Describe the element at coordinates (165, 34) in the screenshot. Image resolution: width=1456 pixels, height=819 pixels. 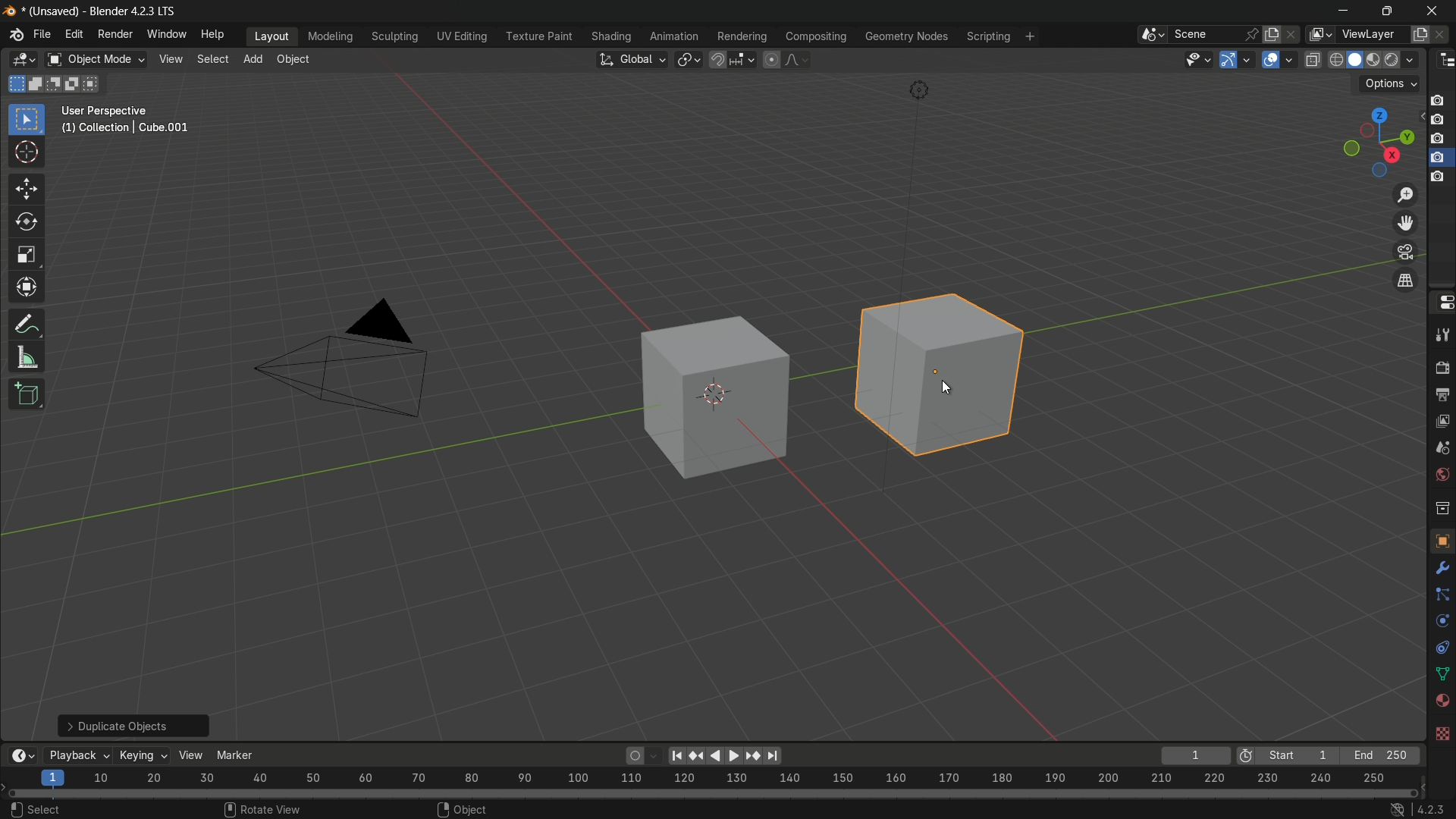
I see `window menu` at that location.